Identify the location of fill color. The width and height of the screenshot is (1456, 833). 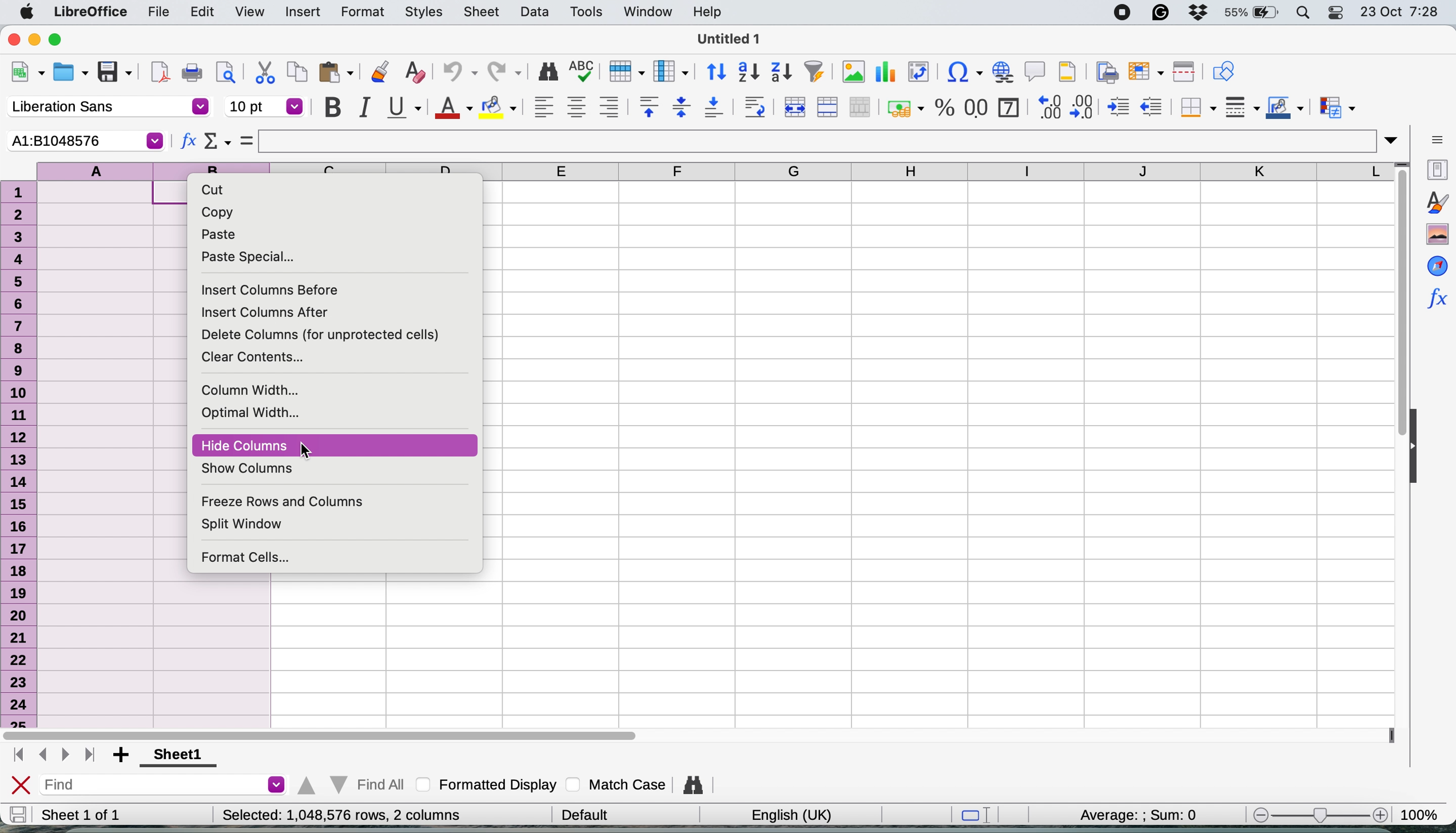
(498, 108).